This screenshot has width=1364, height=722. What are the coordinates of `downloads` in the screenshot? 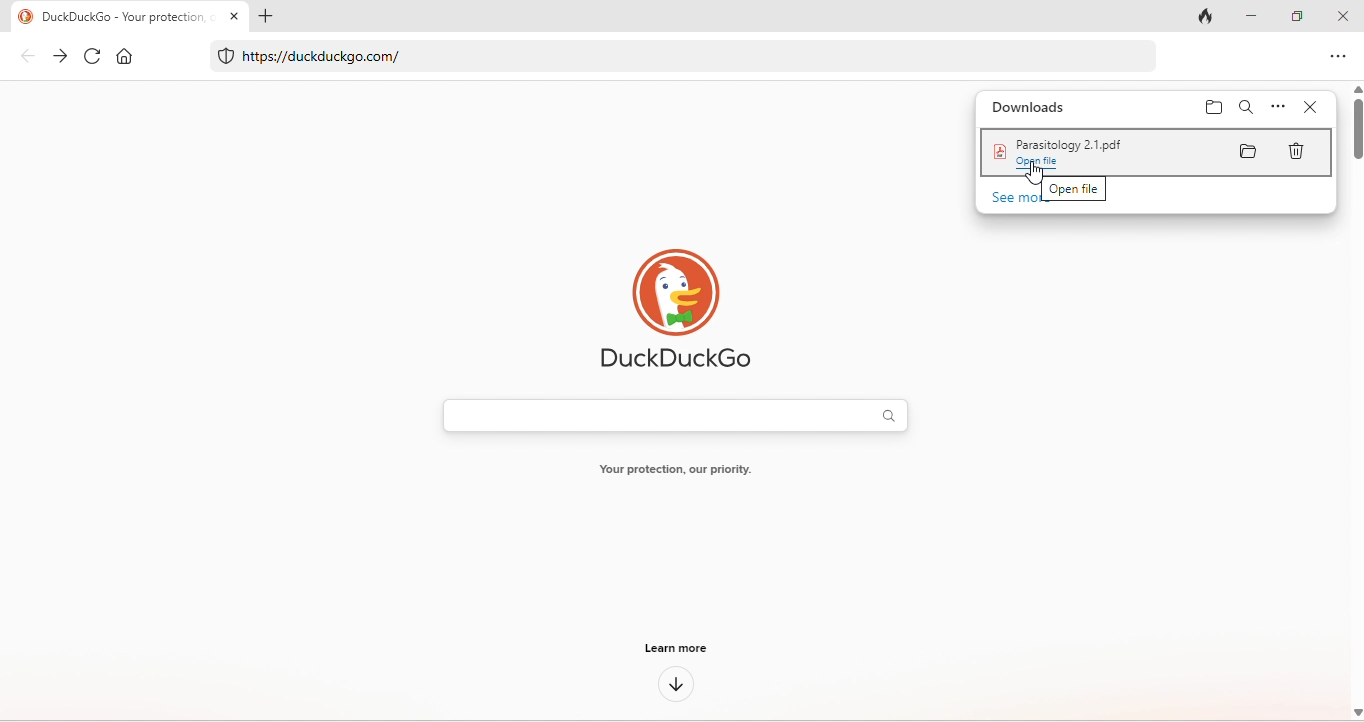 It's located at (1043, 107).